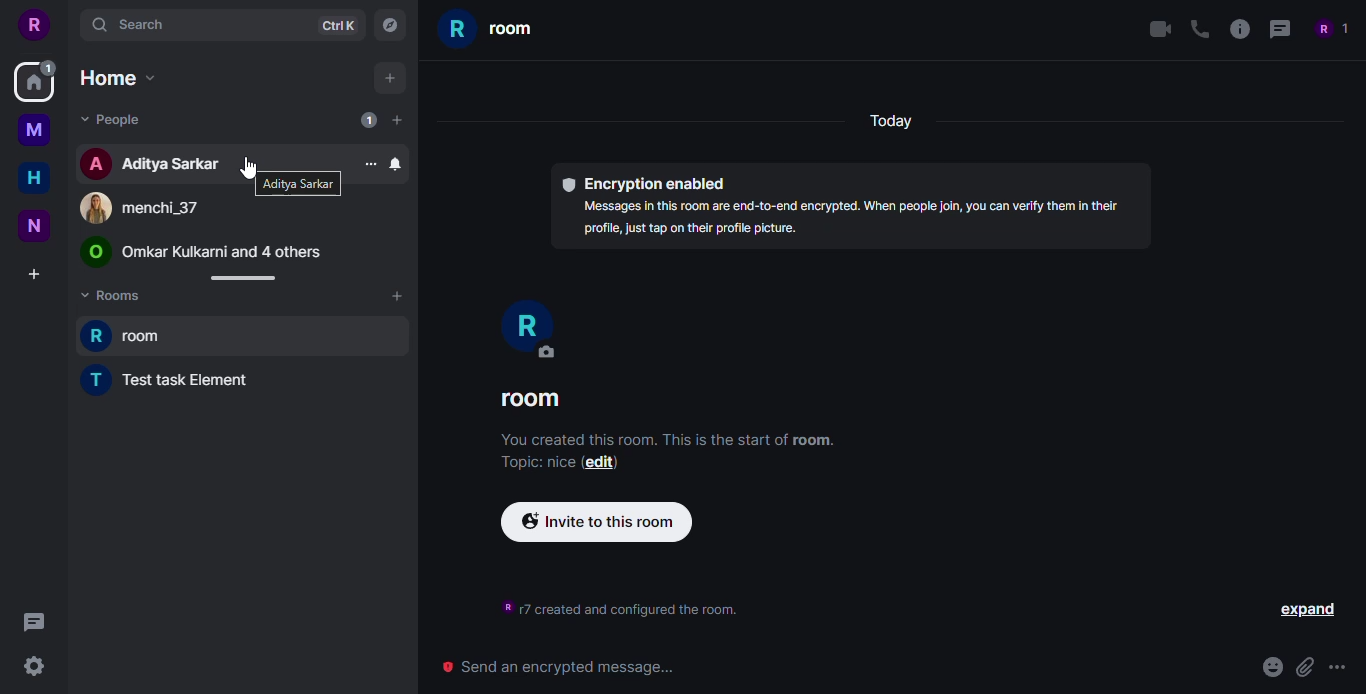 The image size is (1366, 694). I want to click on topic: nice, so click(534, 463).